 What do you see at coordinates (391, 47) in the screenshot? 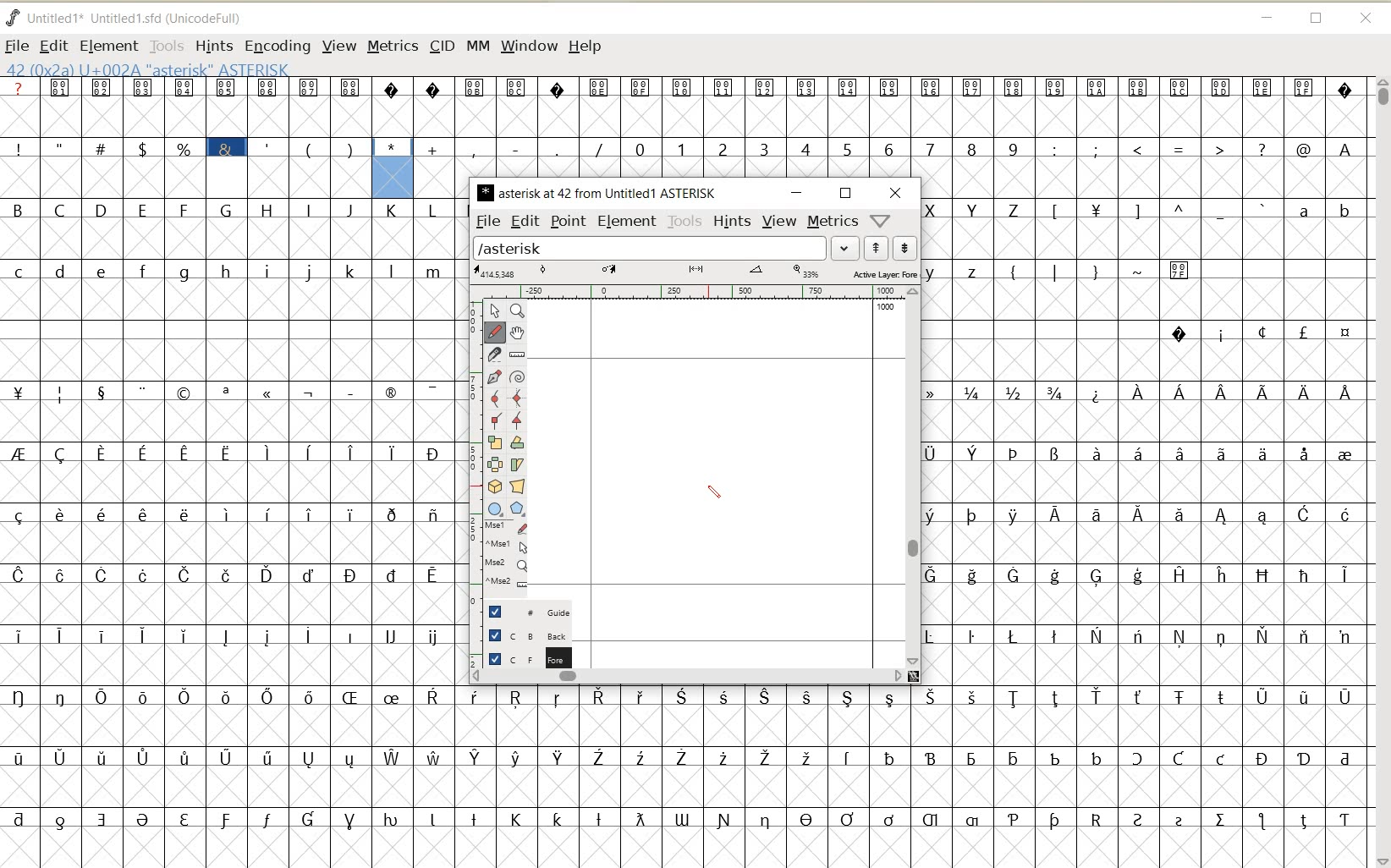
I see `METRICS` at bounding box center [391, 47].